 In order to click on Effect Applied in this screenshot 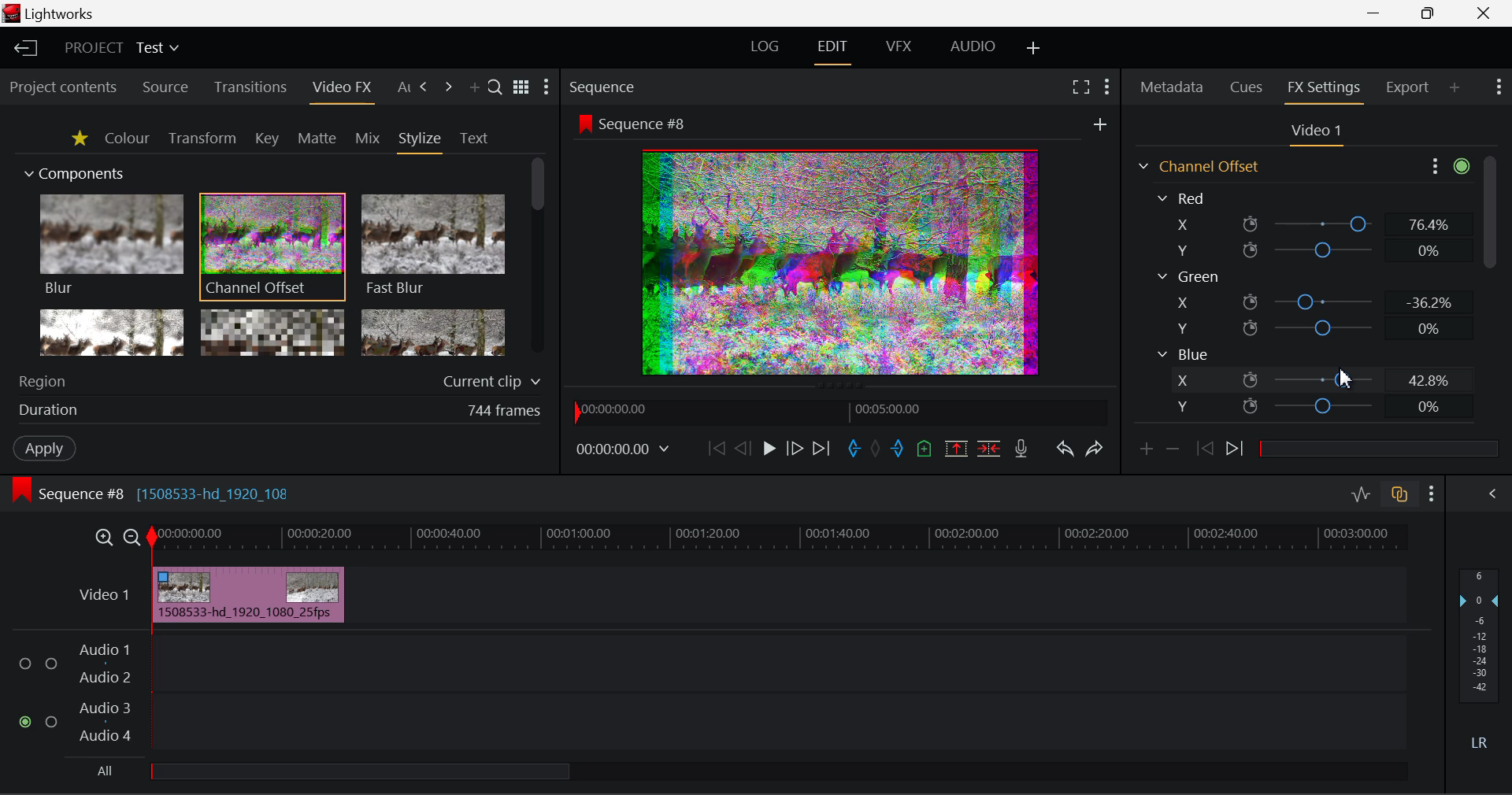, I will do `click(250, 592)`.